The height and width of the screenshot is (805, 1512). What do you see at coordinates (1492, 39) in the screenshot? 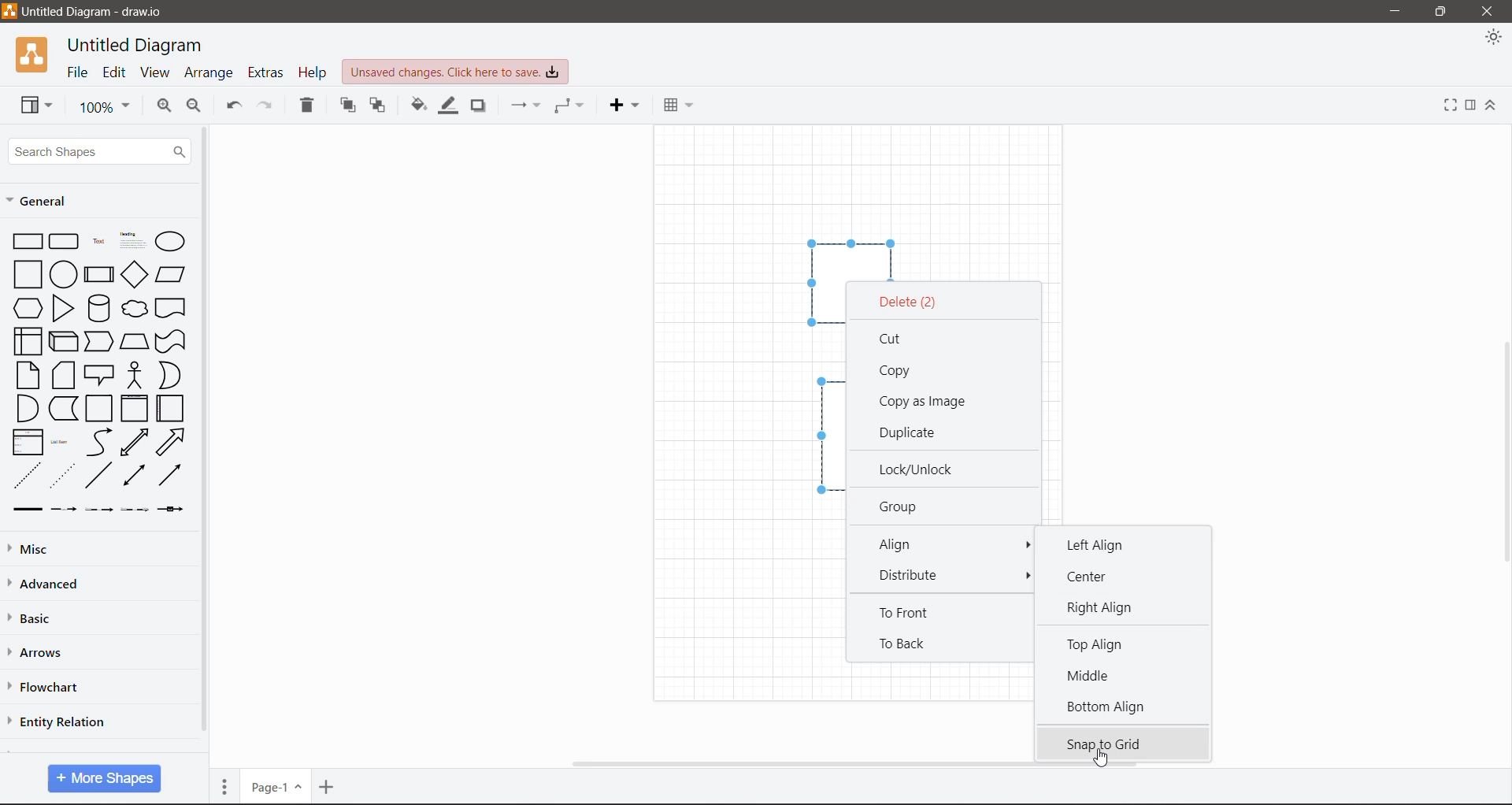
I see `Appearance` at bounding box center [1492, 39].